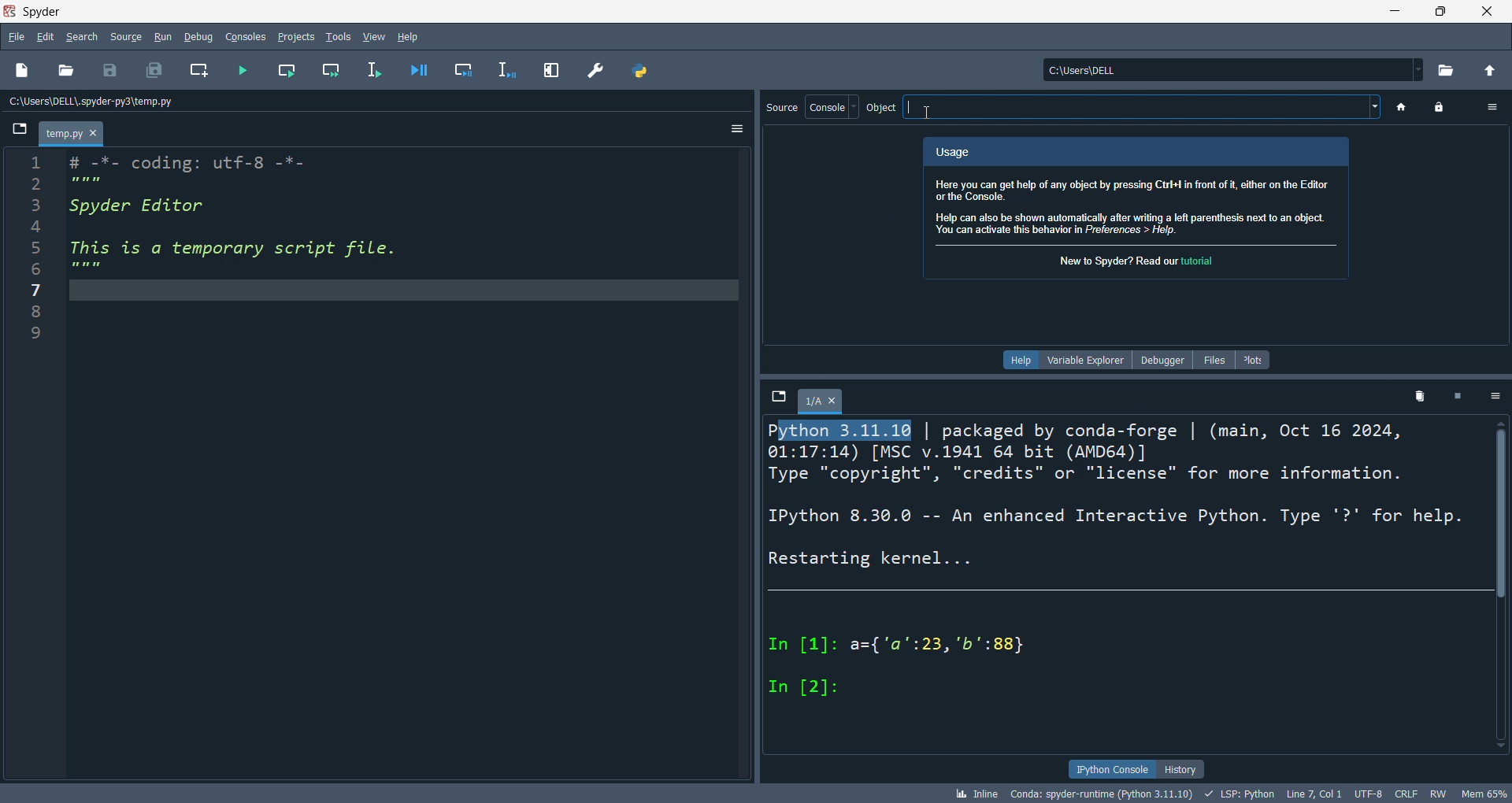 This screenshot has width=1512, height=803. Describe the element at coordinates (287, 68) in the screenshot. I see `run cell` at that location.